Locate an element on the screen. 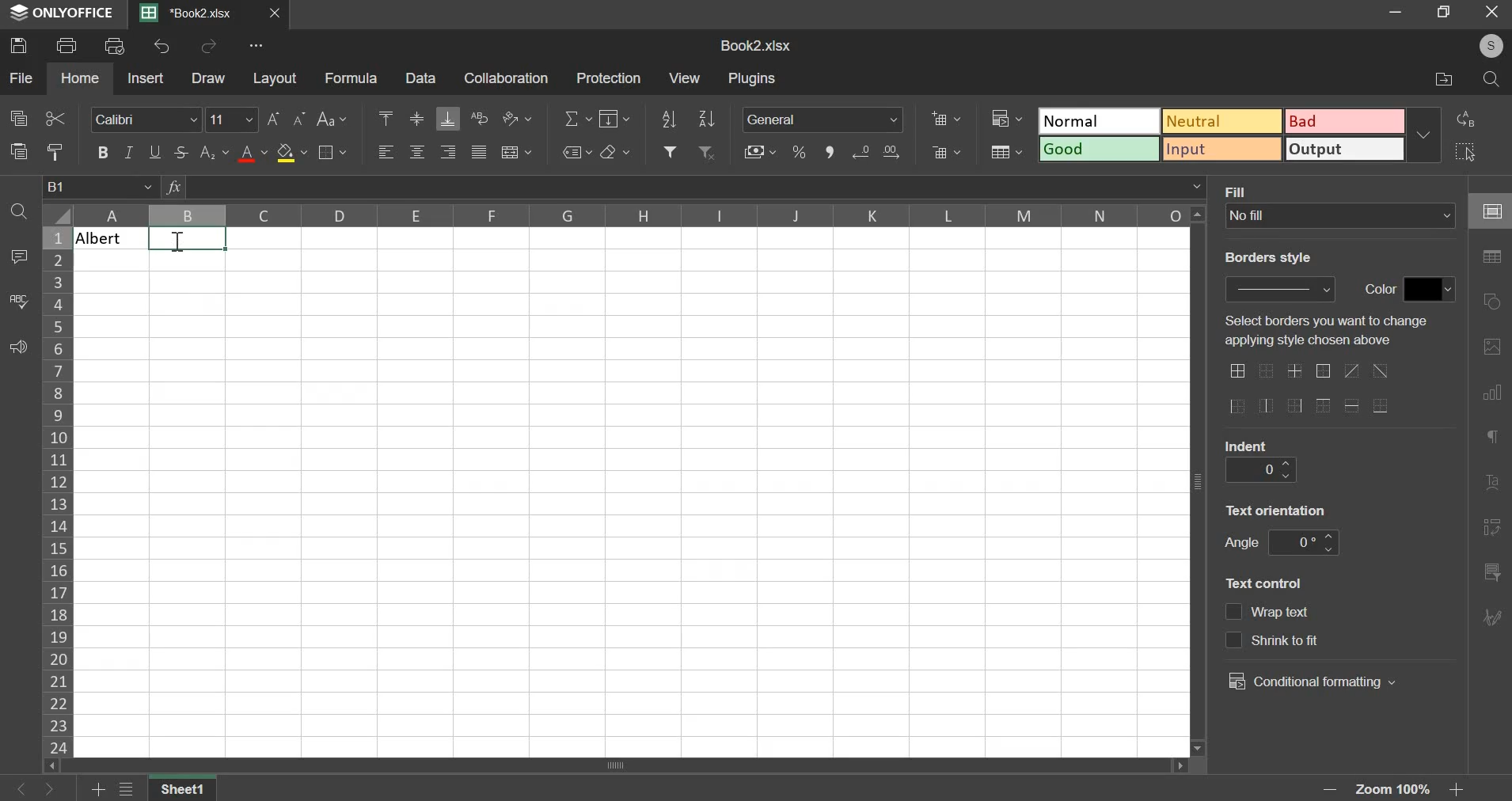 This screenshot has height=801, width=1512. go back is located at coordinates (18, 789).